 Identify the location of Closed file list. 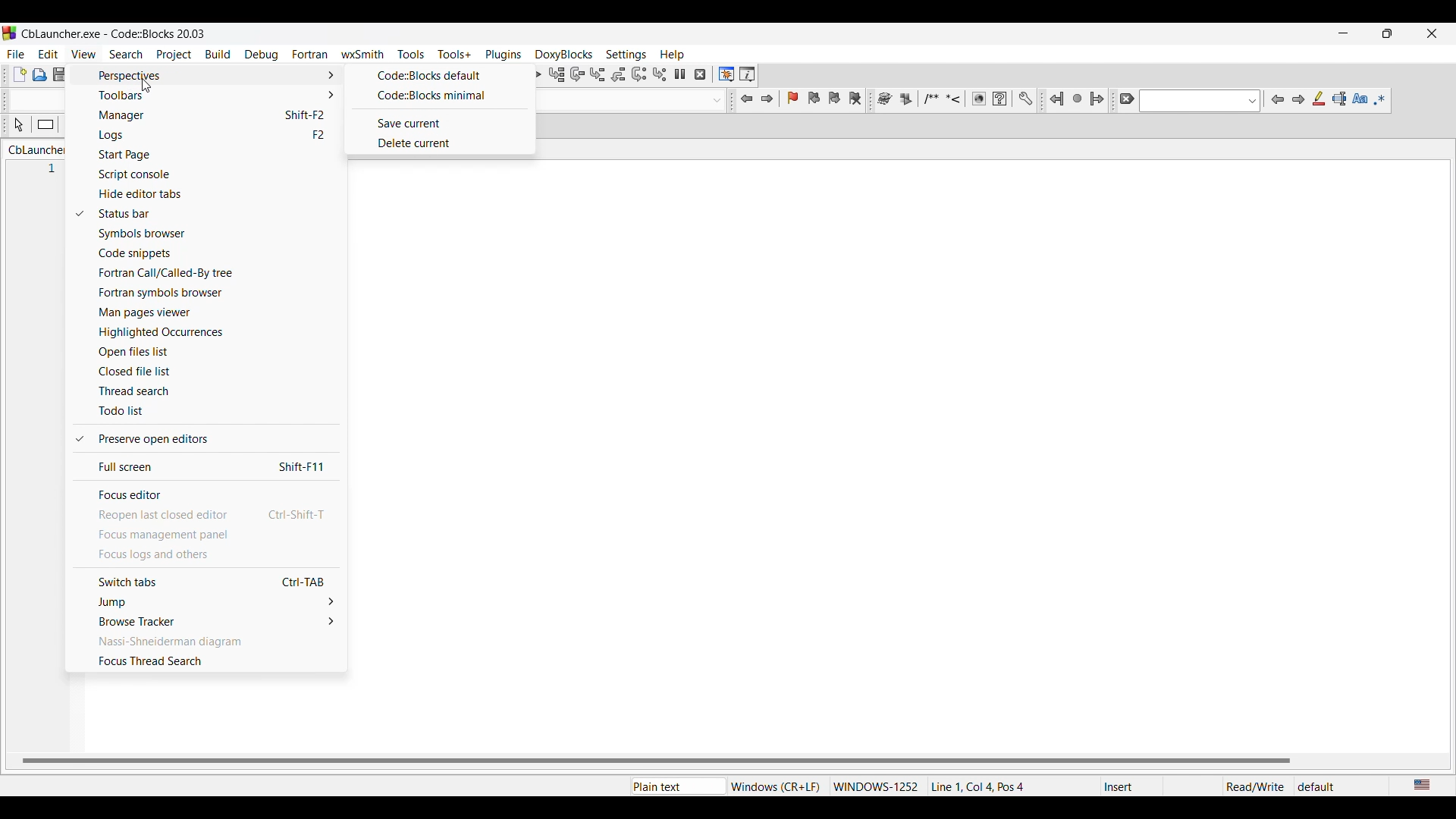
(216, 371).